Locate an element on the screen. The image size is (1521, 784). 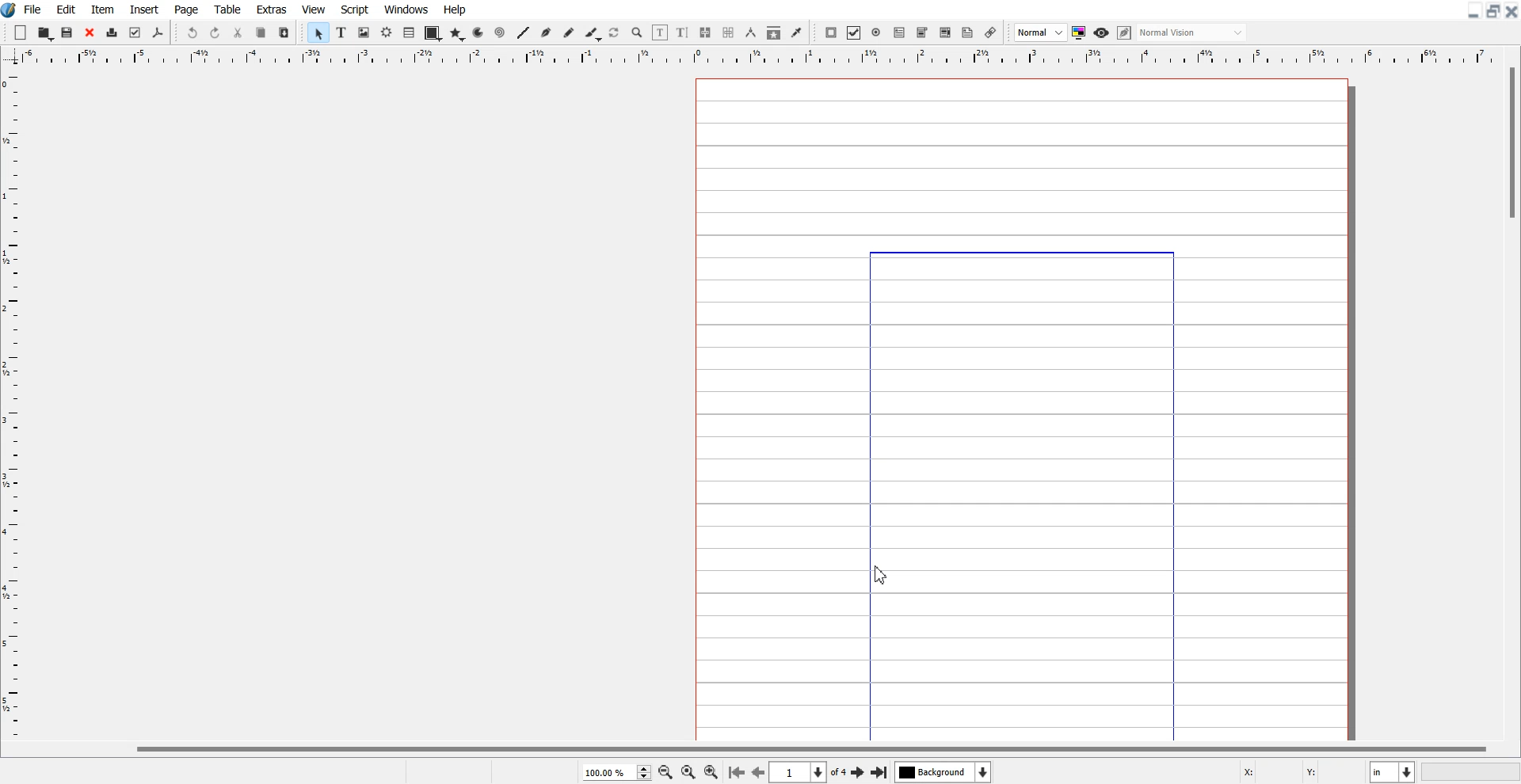
Select Item is located at coordinates (318, 34).